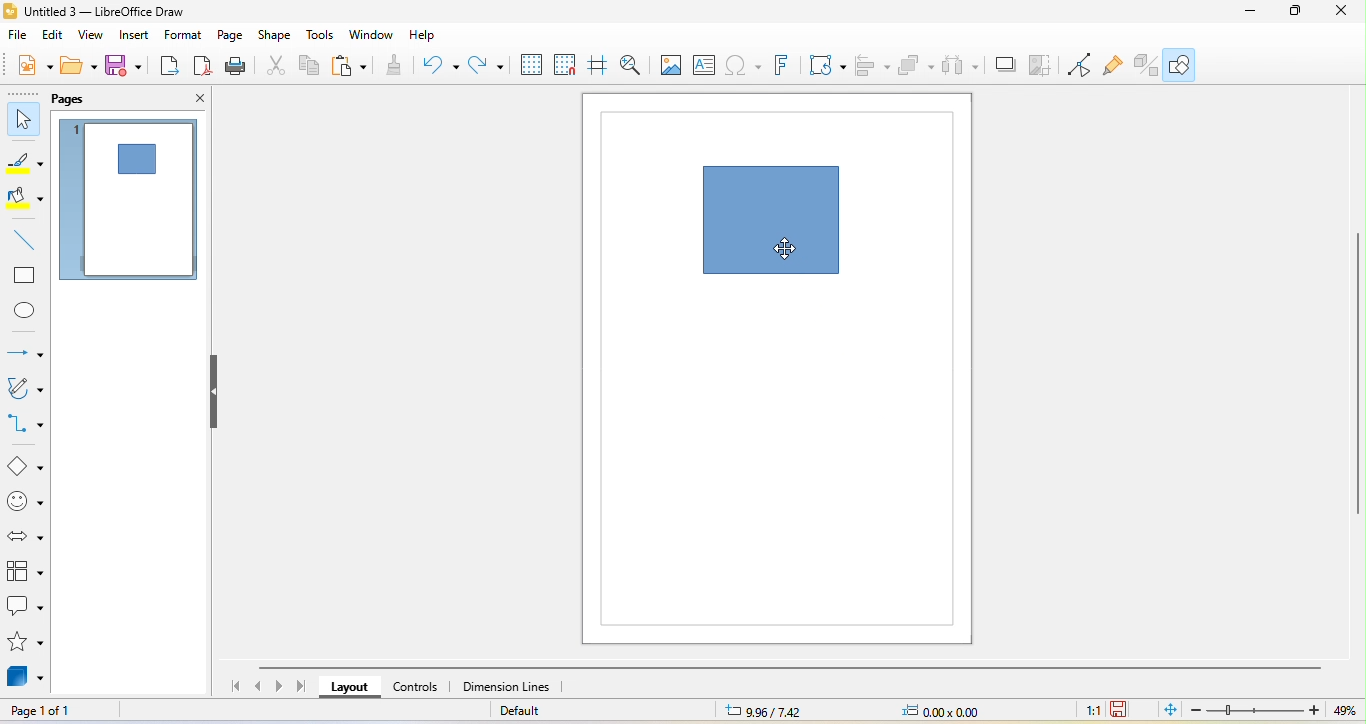 This screenshot has width=1366, height=724. Describe the element at coordinates (1004, 66) in the screenshot. I see `shadow` at that location.